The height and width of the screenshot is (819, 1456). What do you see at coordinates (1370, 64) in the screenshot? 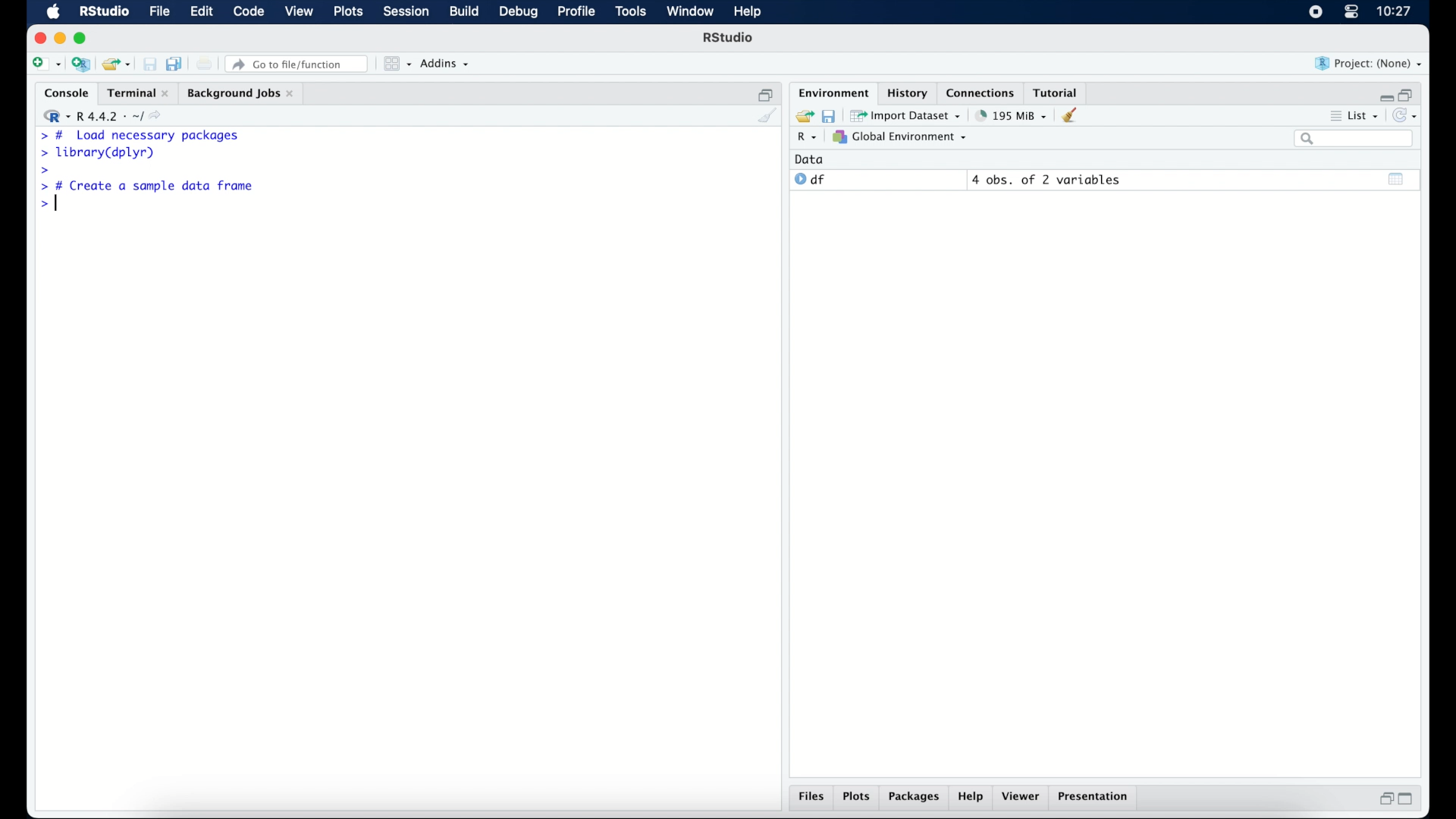
I see `project (none)` at bounding box center [1370, 64].